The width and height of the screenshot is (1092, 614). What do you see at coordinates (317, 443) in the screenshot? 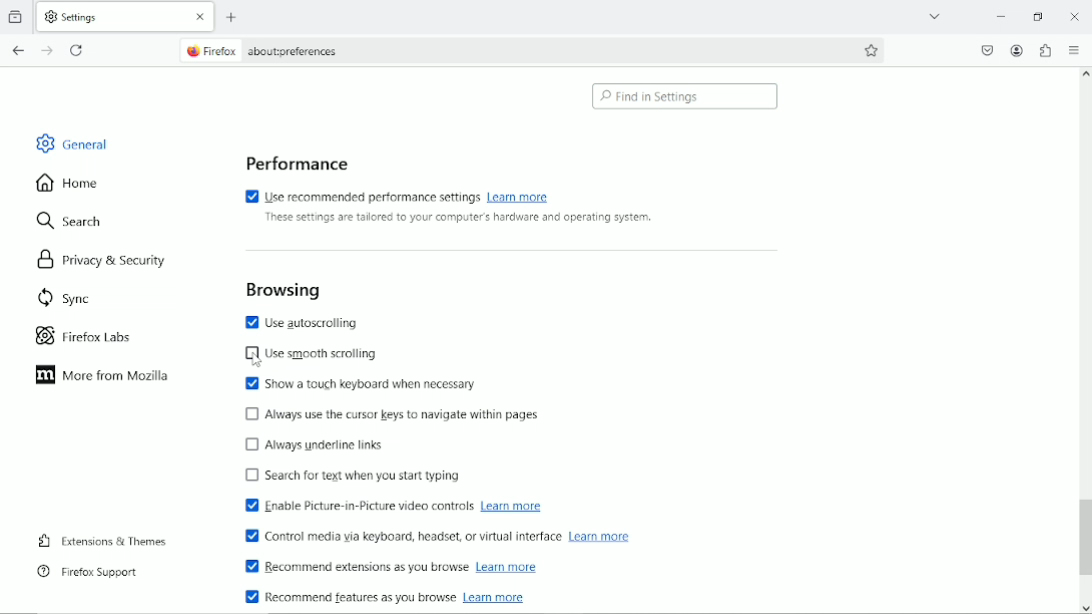
I see `Always underline links` at bounding box center [317, 443].